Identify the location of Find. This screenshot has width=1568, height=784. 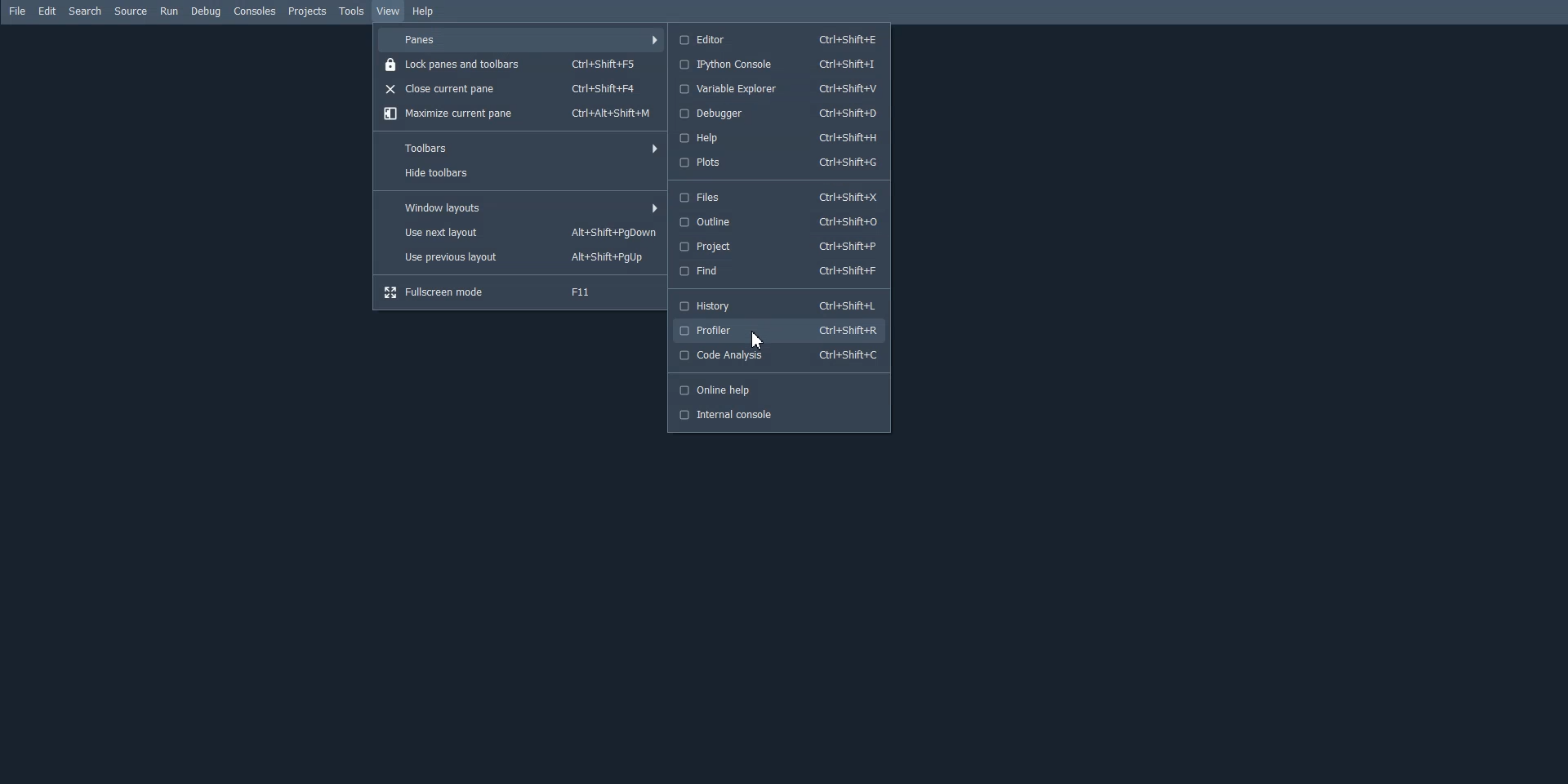
(776, 271).